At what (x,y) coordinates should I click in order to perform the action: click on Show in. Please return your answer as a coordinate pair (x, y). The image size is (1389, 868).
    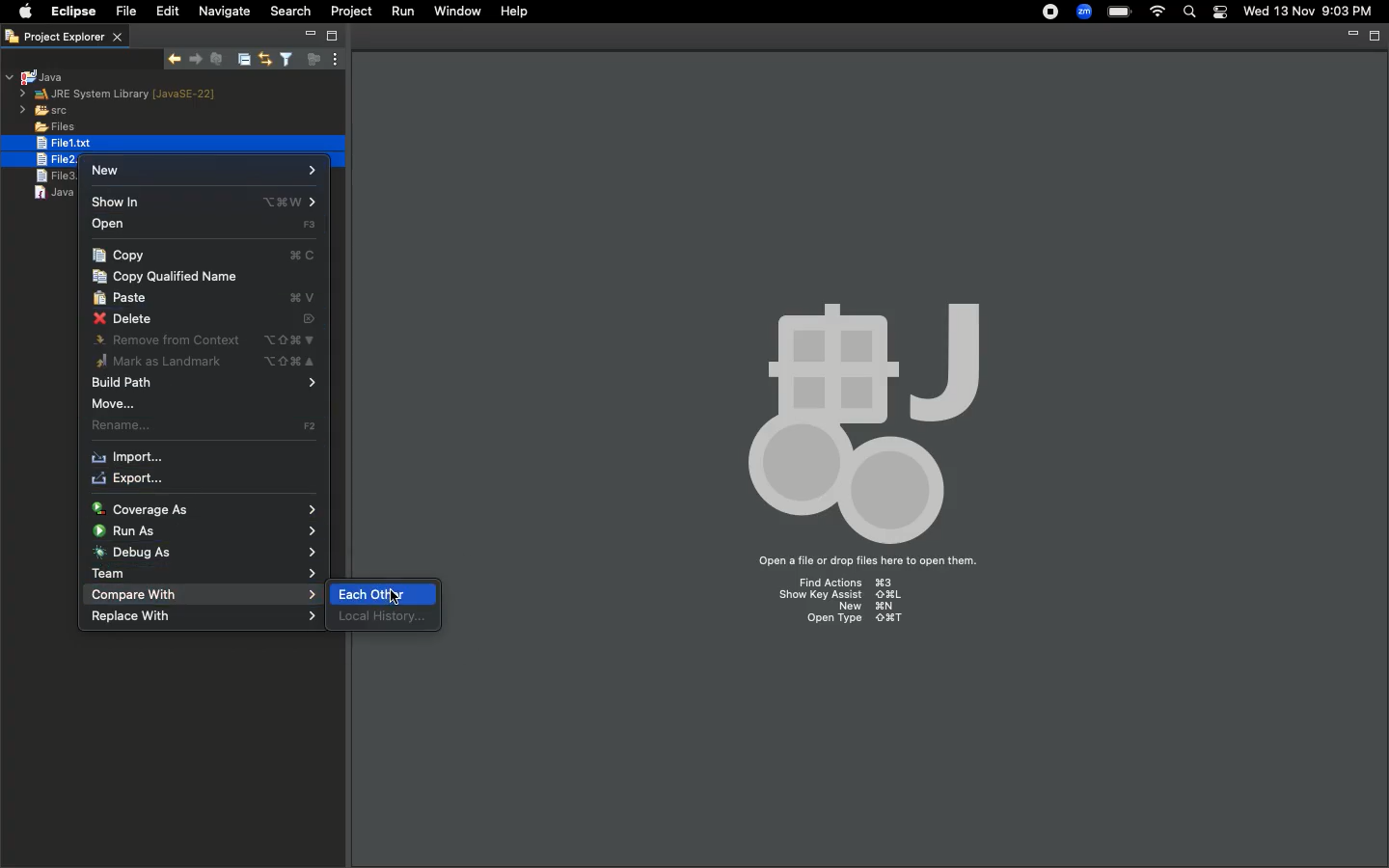
    Looking at the image, I should click on (204, 203).